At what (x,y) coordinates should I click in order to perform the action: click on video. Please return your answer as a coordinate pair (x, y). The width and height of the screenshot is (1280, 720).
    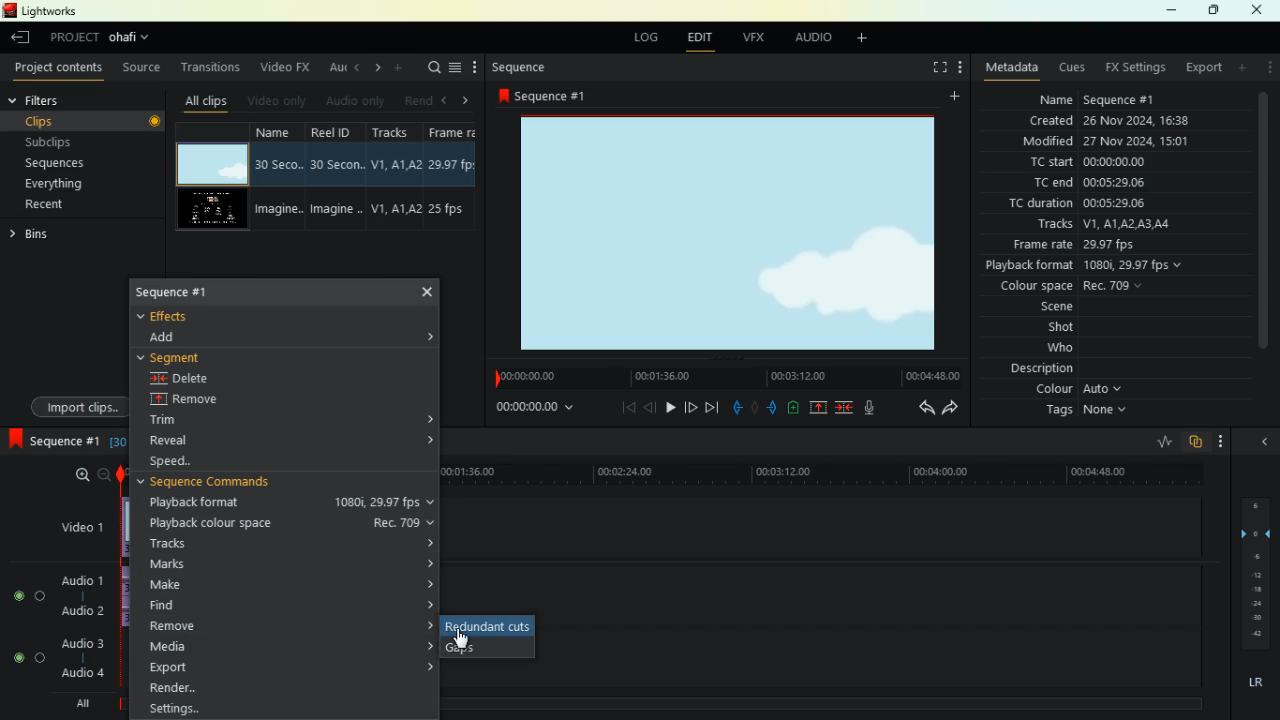
    Looking at the image, I should click on (211, 160).